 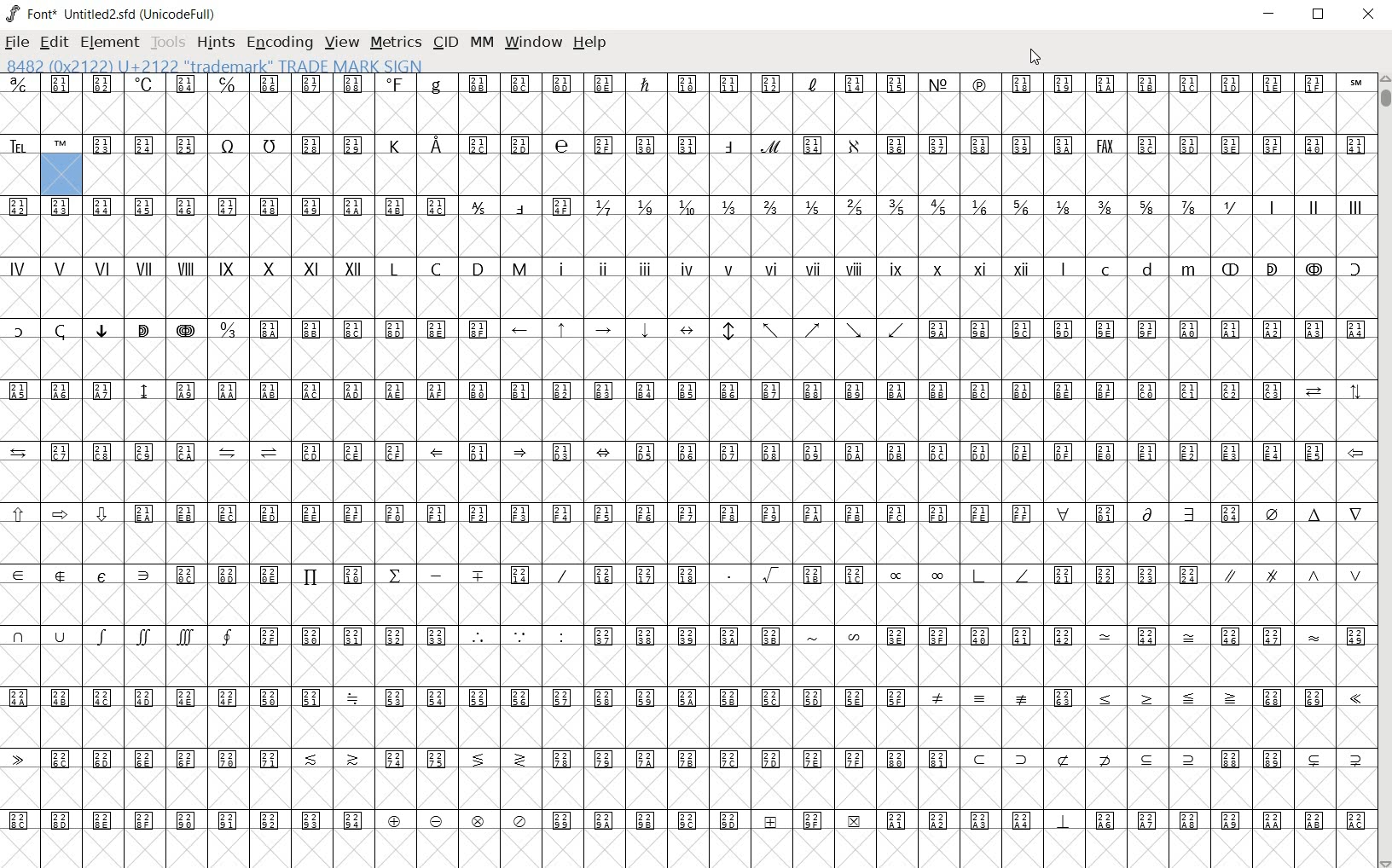 What do you see at coordinates (374, 348) in the screenshot?
I see `symbols` at bounding box center [374, 348].